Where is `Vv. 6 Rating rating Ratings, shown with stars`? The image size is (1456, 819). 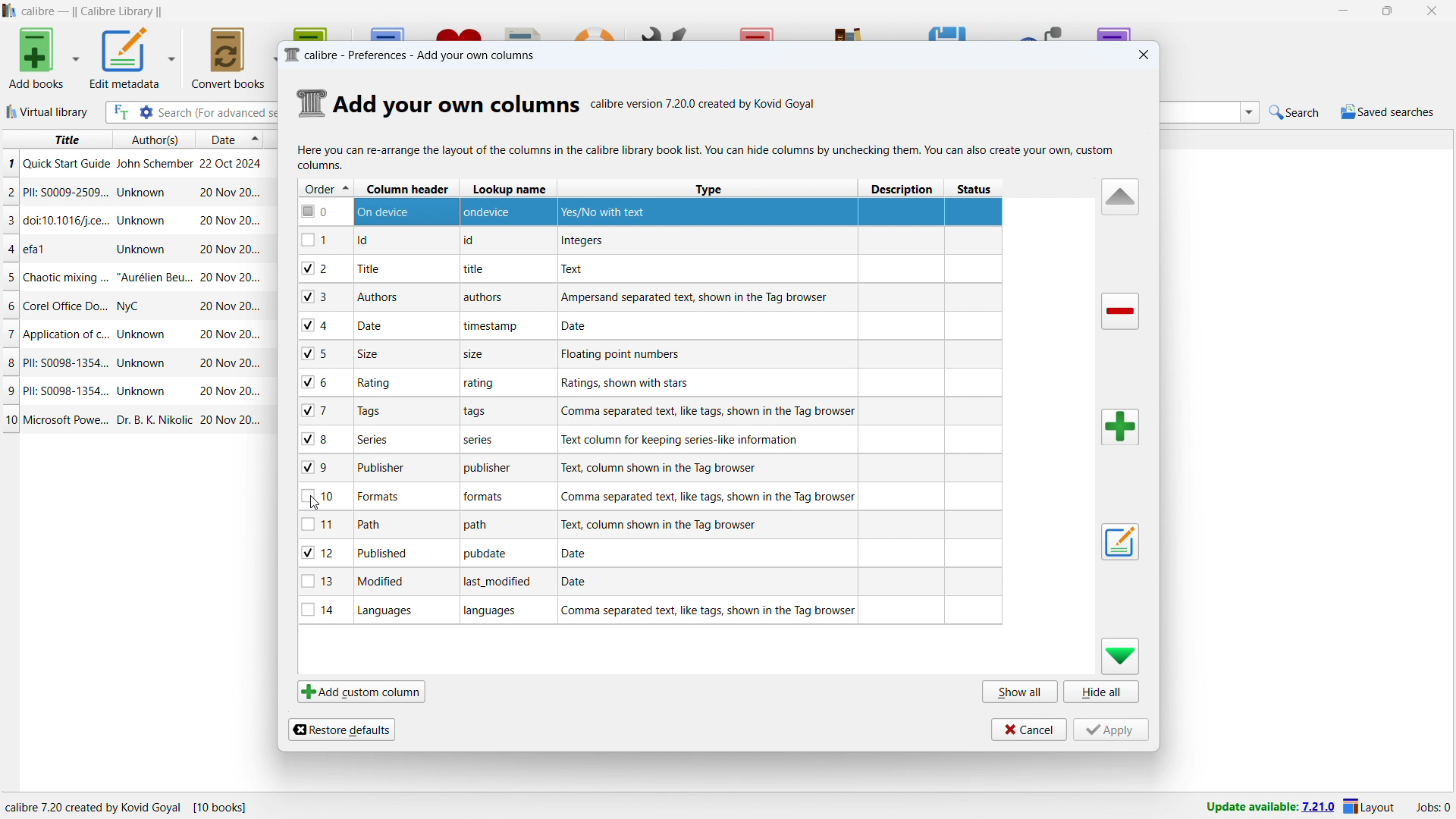 Vv. 6 Rating rating Ratings, shown with stars is located at coordinates (645, 383).